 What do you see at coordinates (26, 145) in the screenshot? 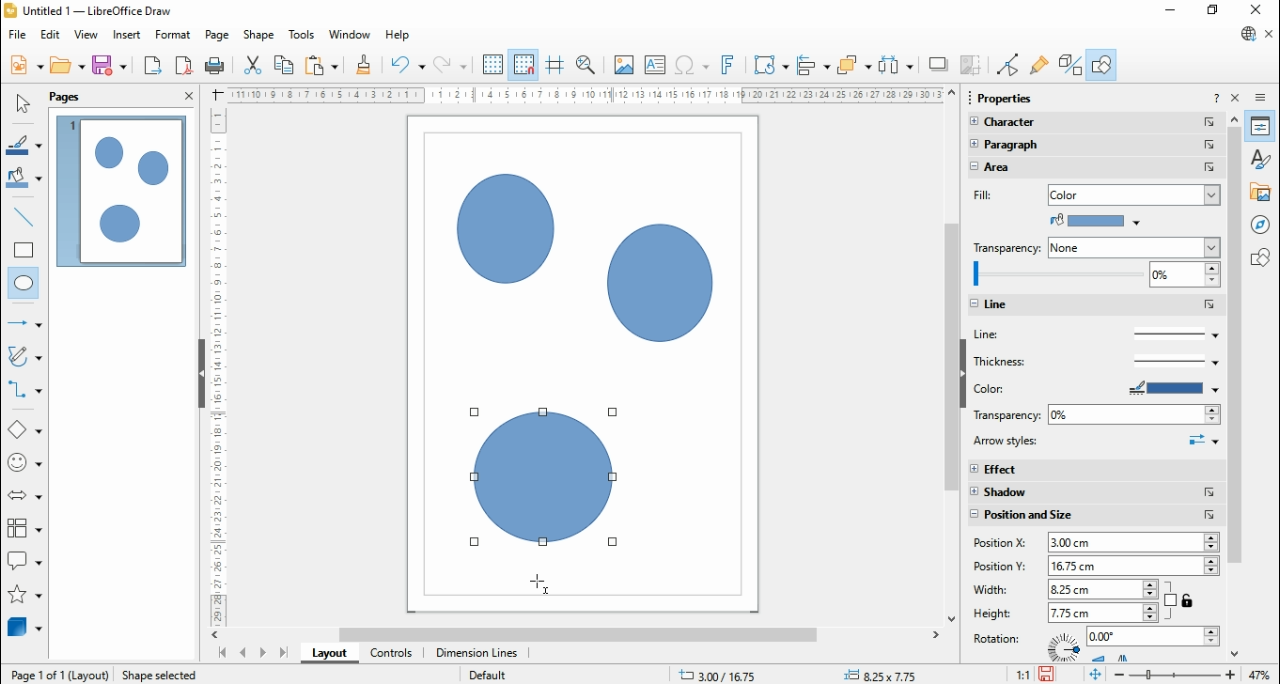
I see `line color` at bounding box center [26, 145].